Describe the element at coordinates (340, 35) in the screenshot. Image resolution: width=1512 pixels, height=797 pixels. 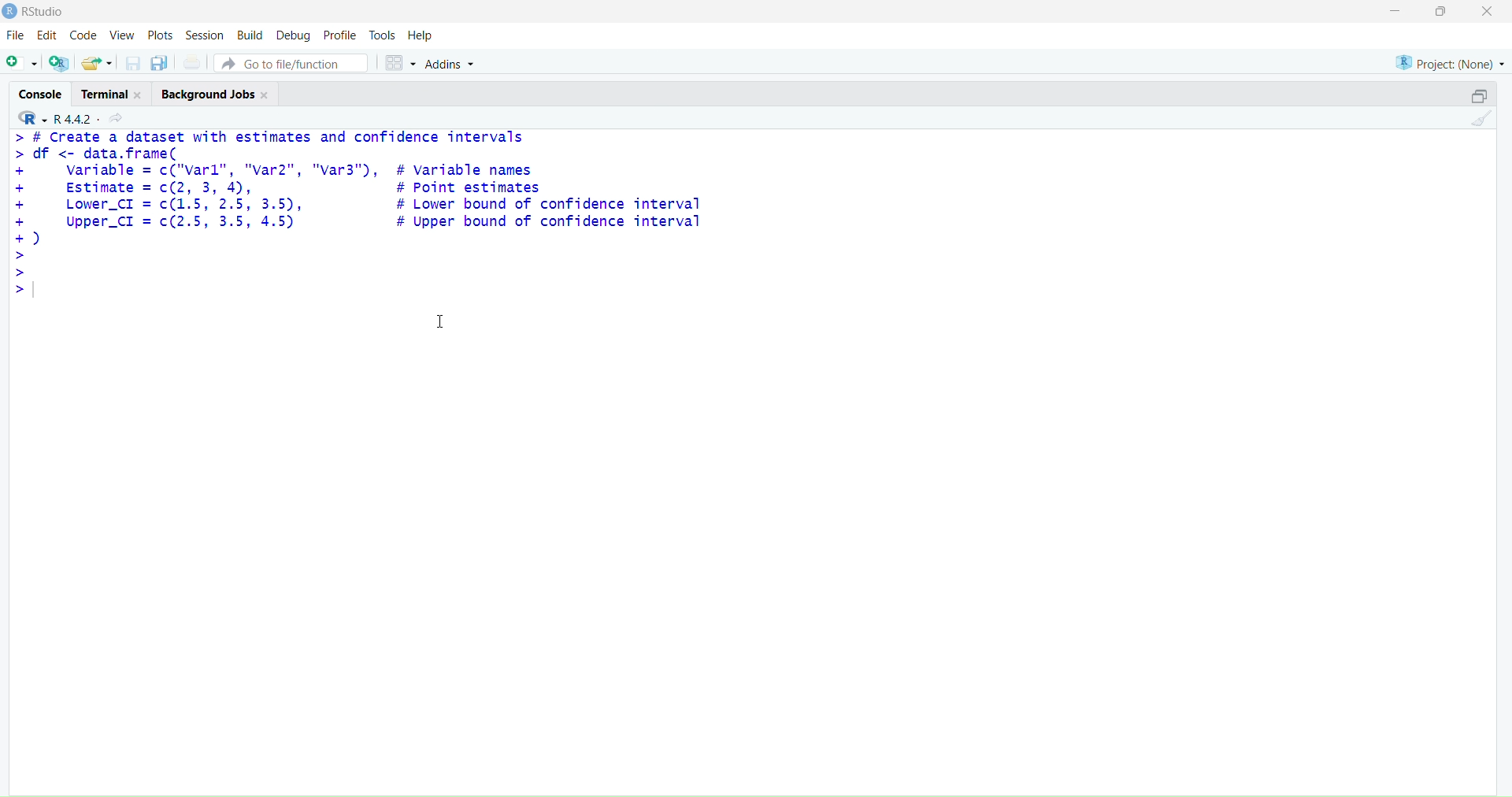
I see `Profile` at that location.